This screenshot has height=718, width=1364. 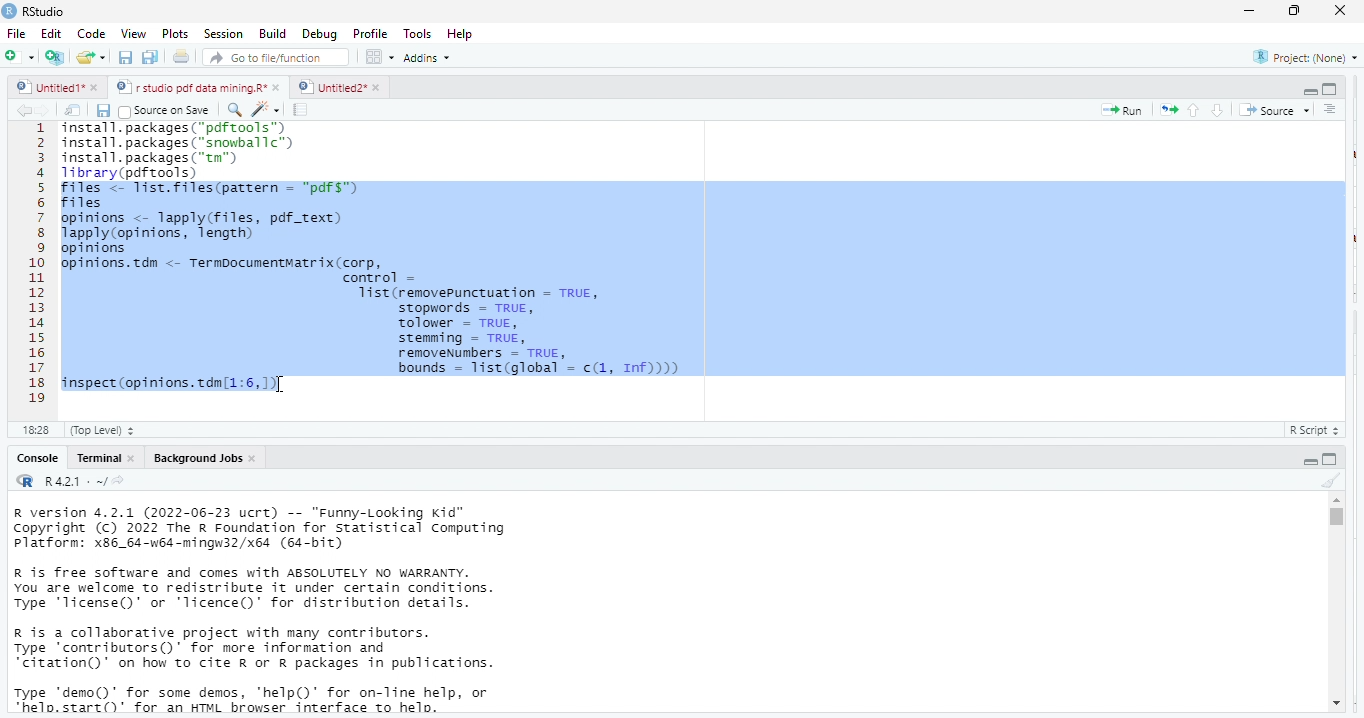 What do you see at coordinates (222, 34) in the screenshot?
I see `session` at bounding box center [222, 34].